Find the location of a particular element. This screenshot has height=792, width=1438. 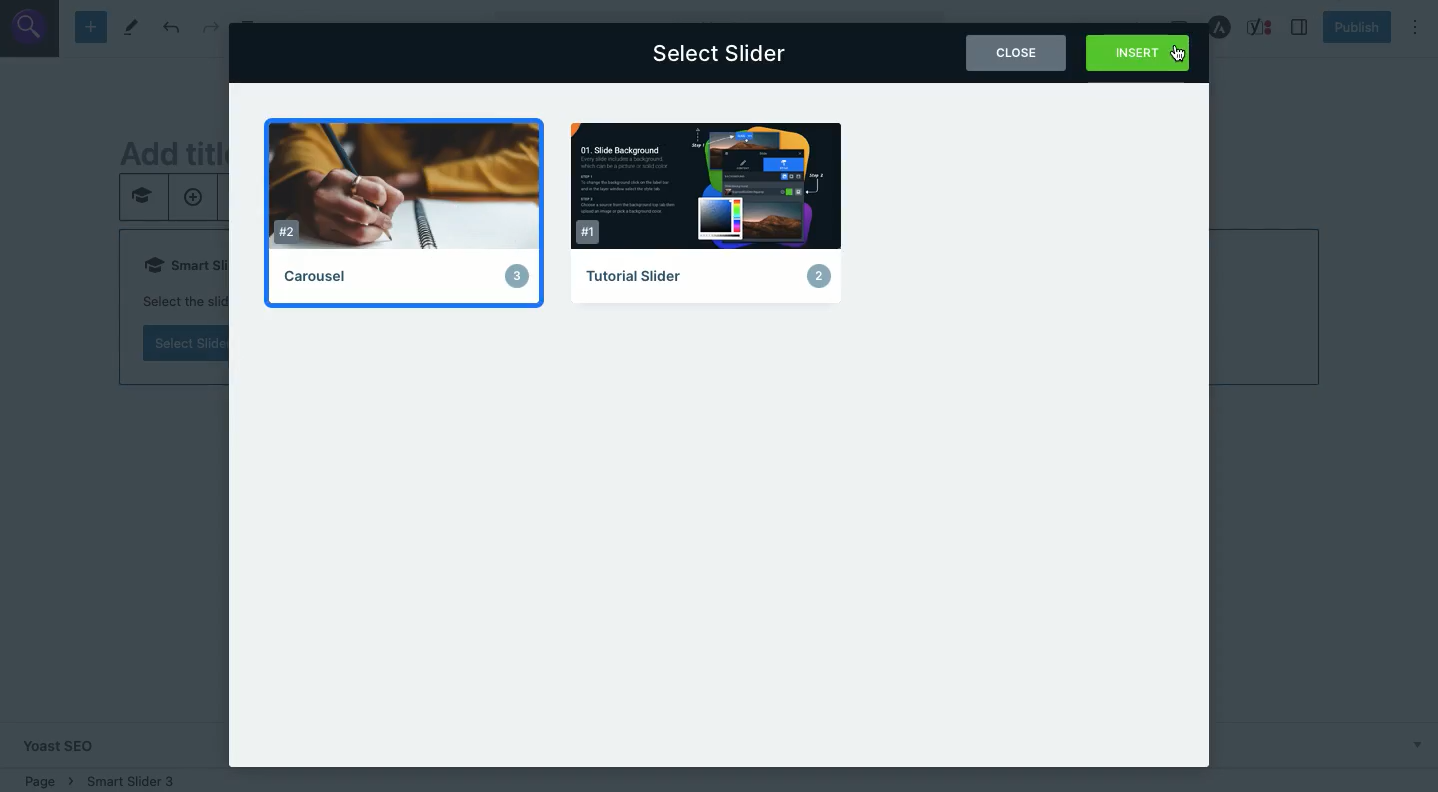

Location is located at coordinates (45, 778).